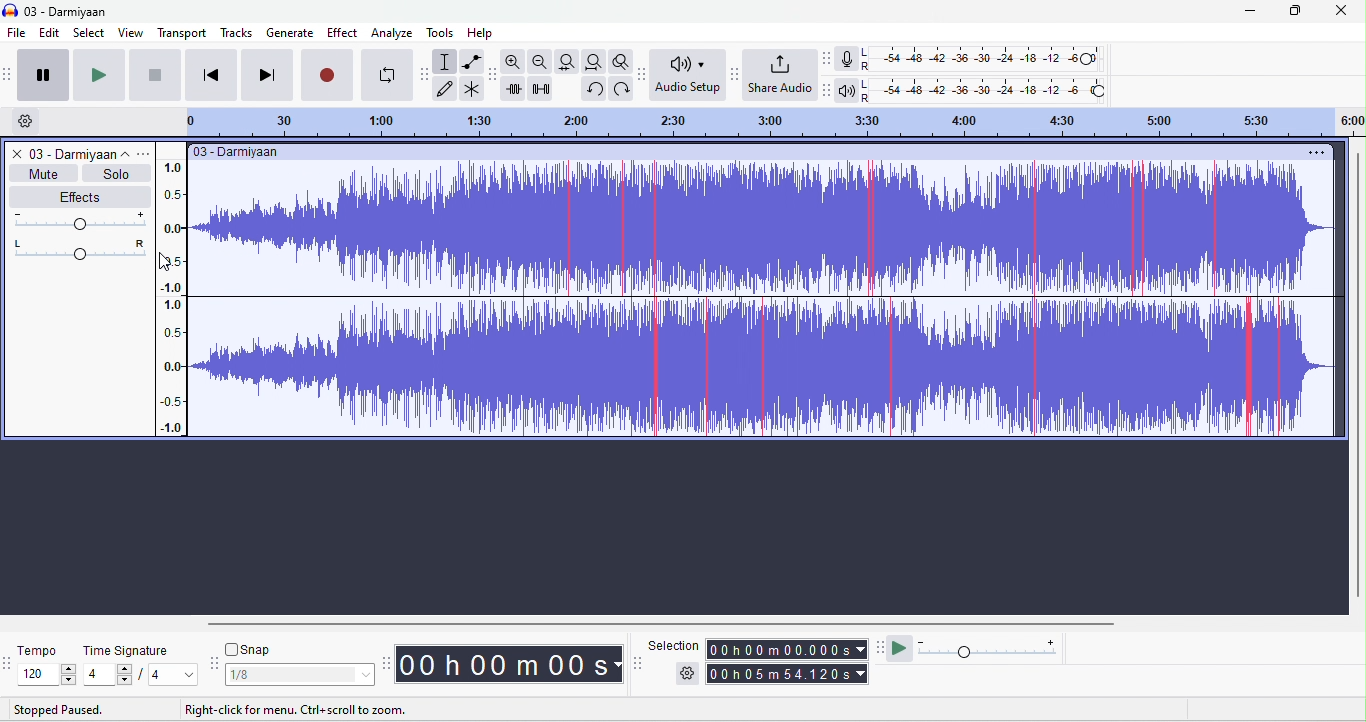  Describe the element at coordinates (445, 61) in the screenshot. I see `selection` at that location.